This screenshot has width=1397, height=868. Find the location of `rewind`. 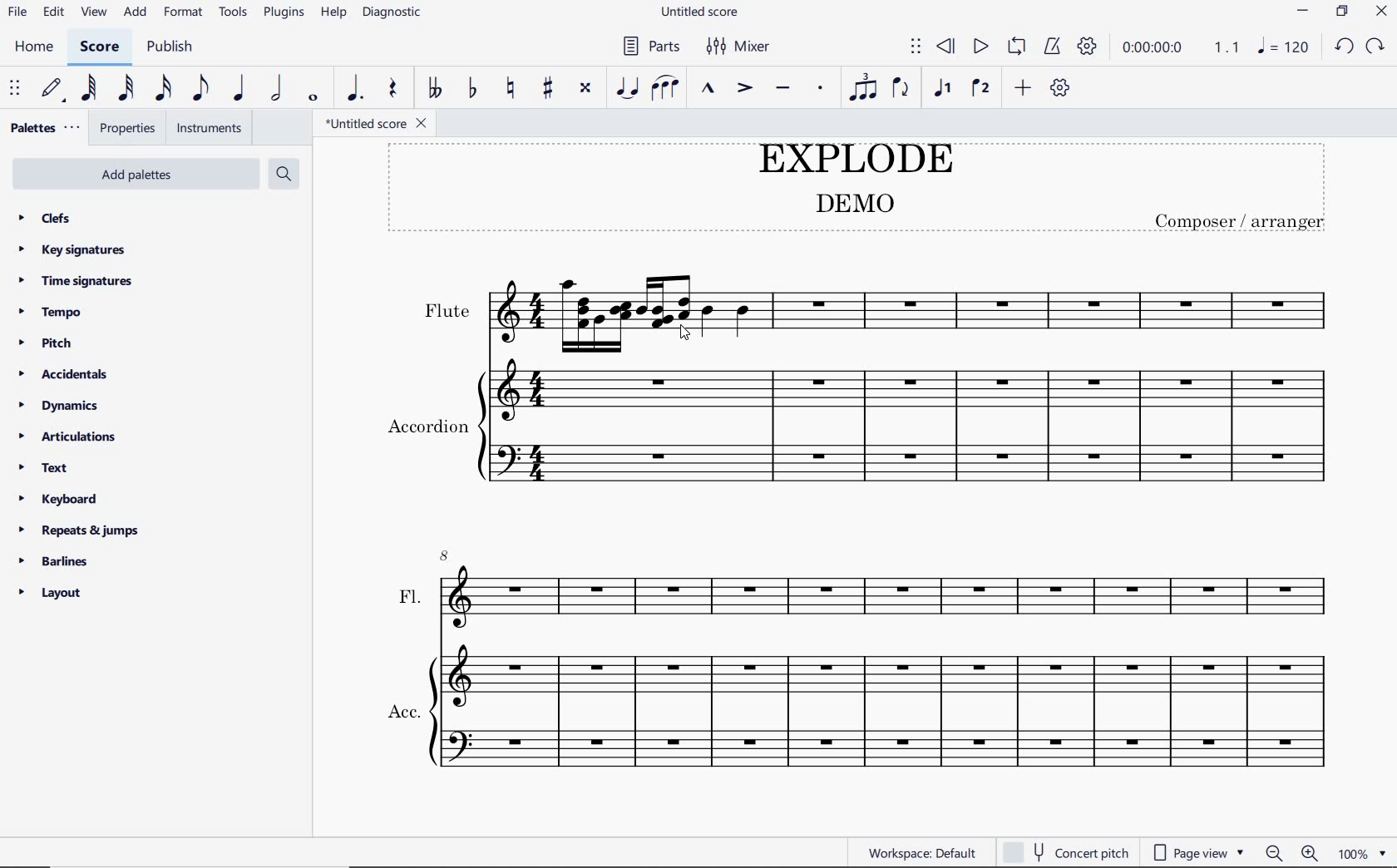

rewind is located at coordinates (949, 47).